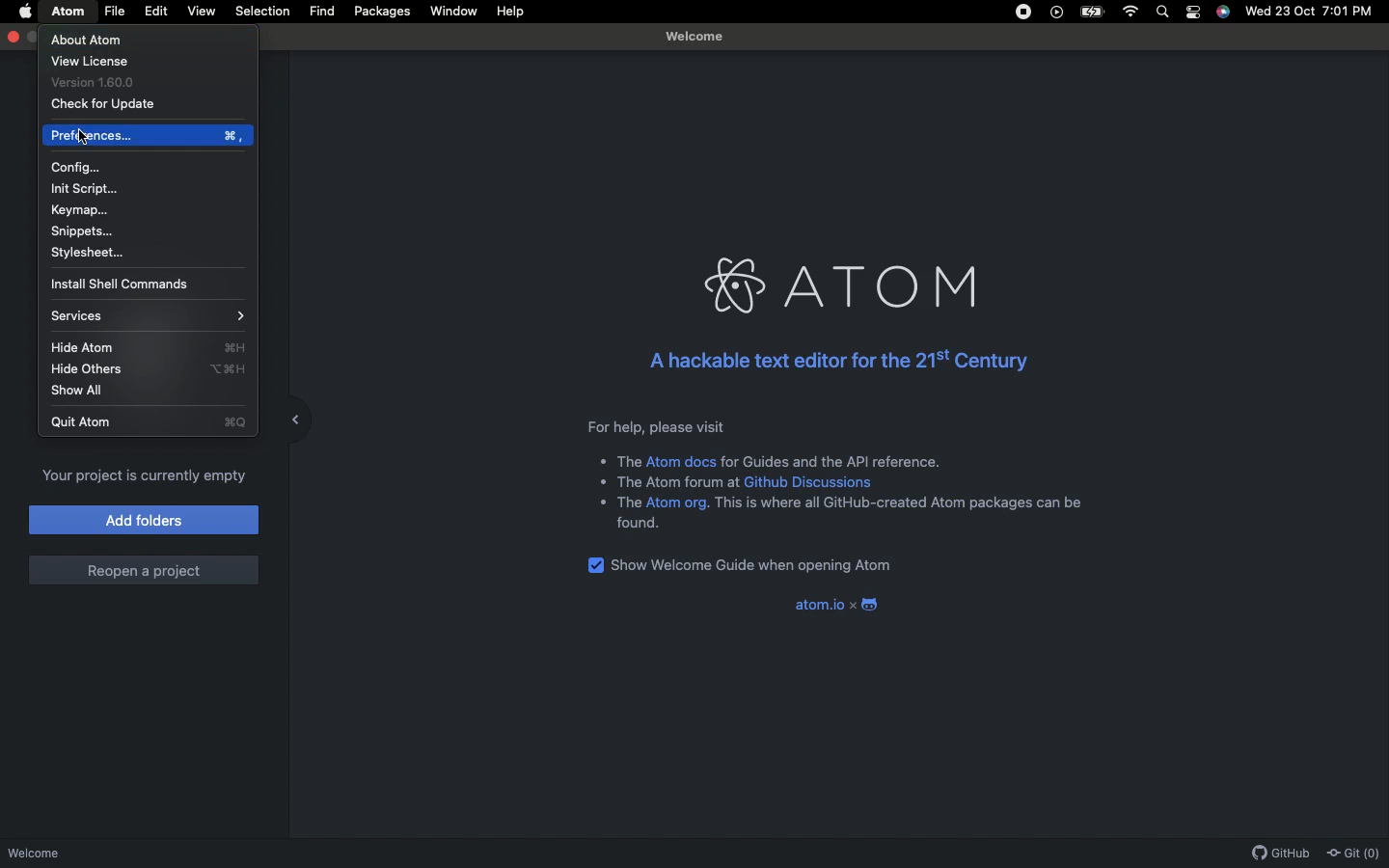  What do you see at coordinates (96, 84) in the screenshot?
I see `Version 1.60.0` at bounding box center [96, 84].